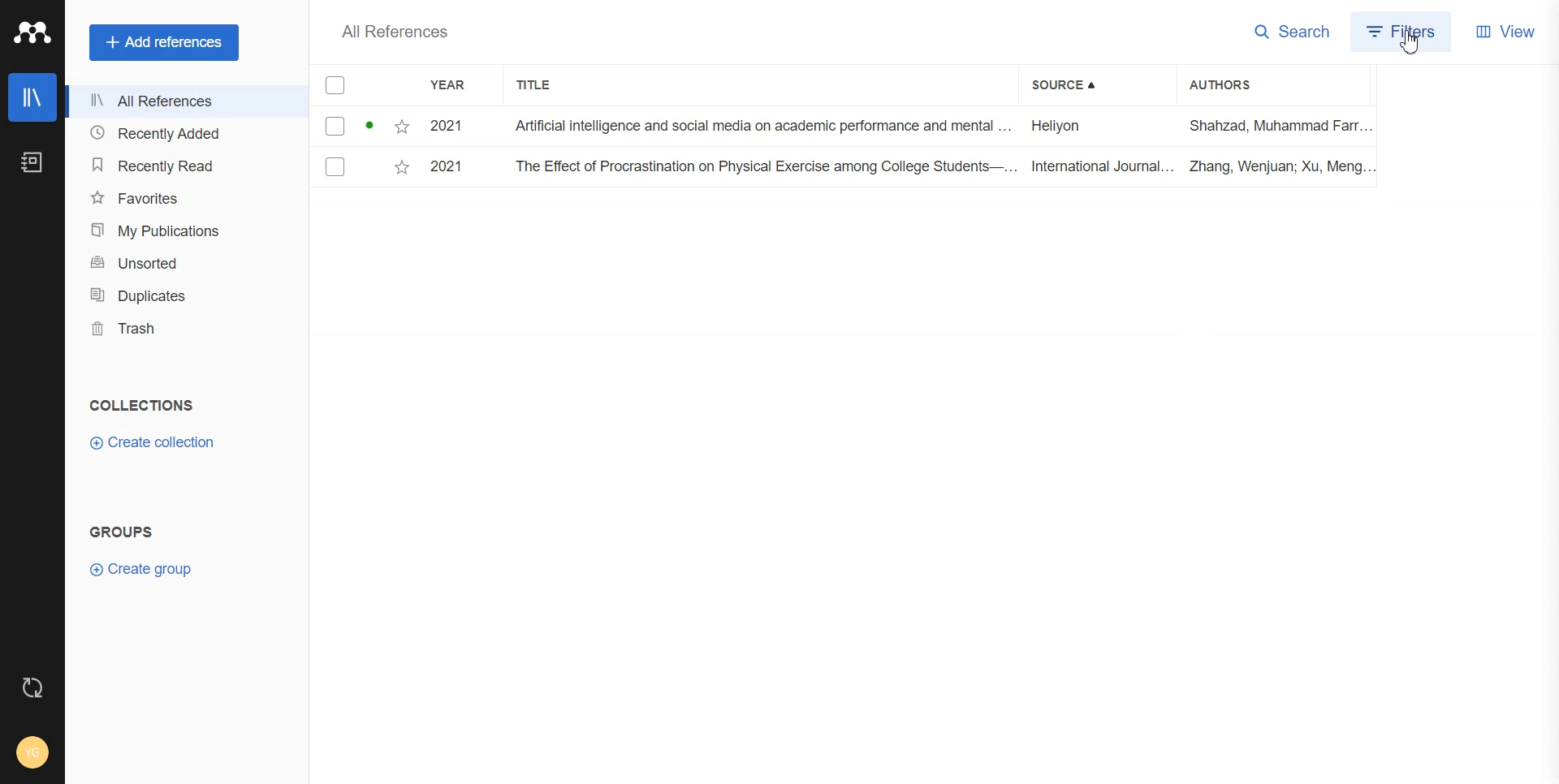  What do you see at coordinates (33, 752) in the screenshot?
I see `Account` at bounding box center [33, 752].